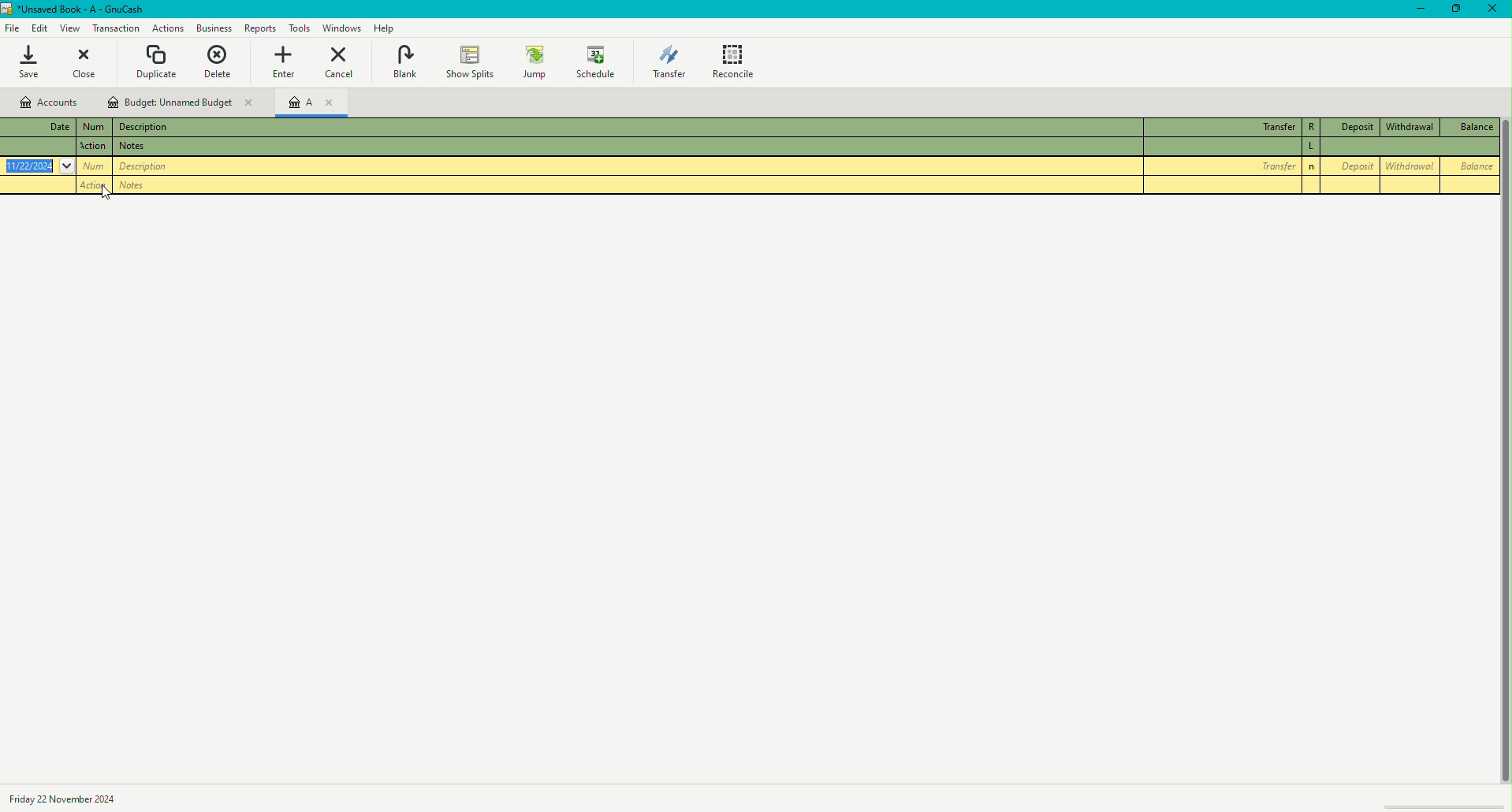  Describe the element at coordinates (156, 62) in the screenshot. I see `Duplicate` at that location.